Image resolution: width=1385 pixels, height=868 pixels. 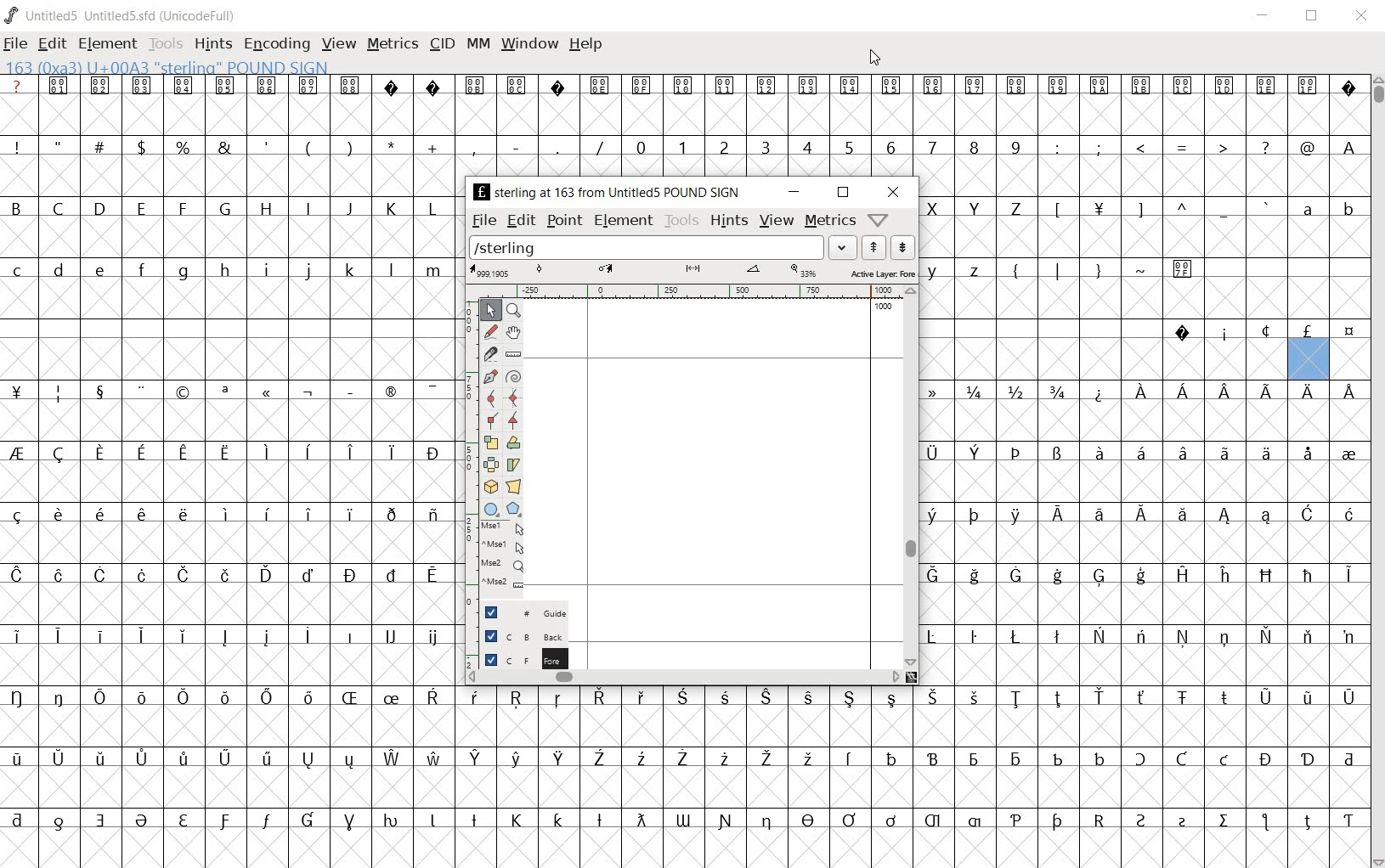 What do you see at coordinates (624, 219) in the screenshot?
I see `element` at bounding box center [624, 219].